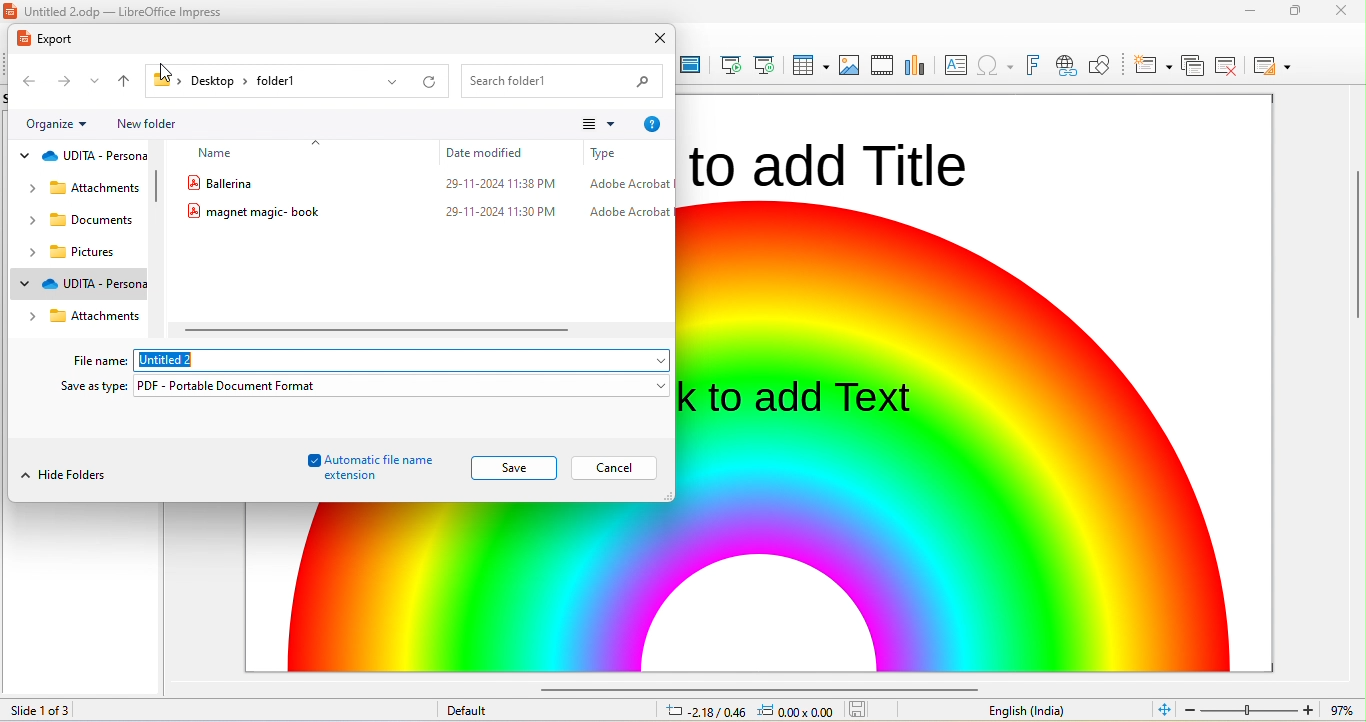 The height and width of the screenshot is (722, 1366). Describe the element at coordinates (880, 66) in the screenshot. I see `media` at that location.